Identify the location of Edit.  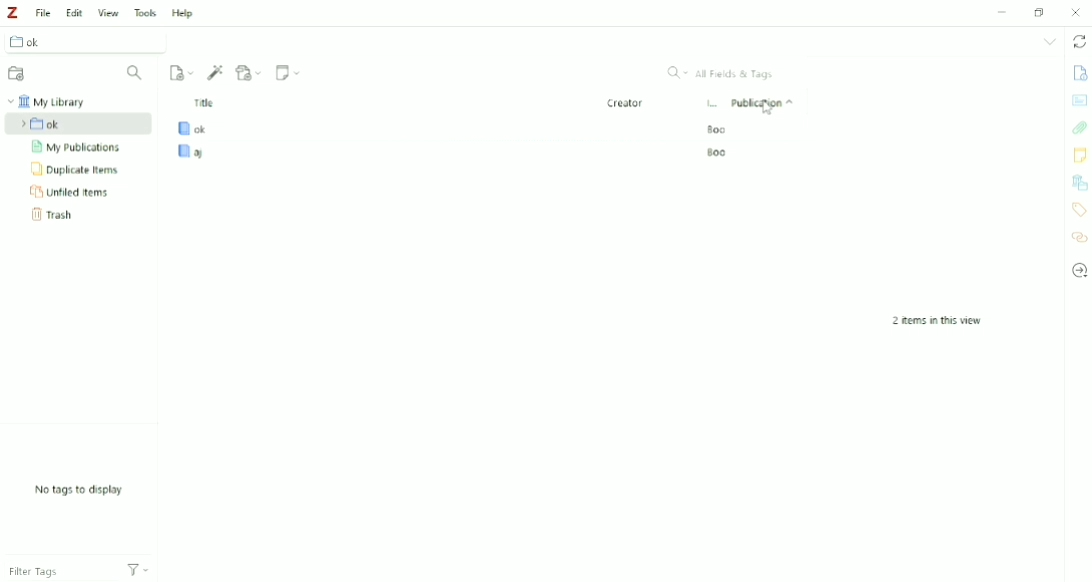
(75, 11).